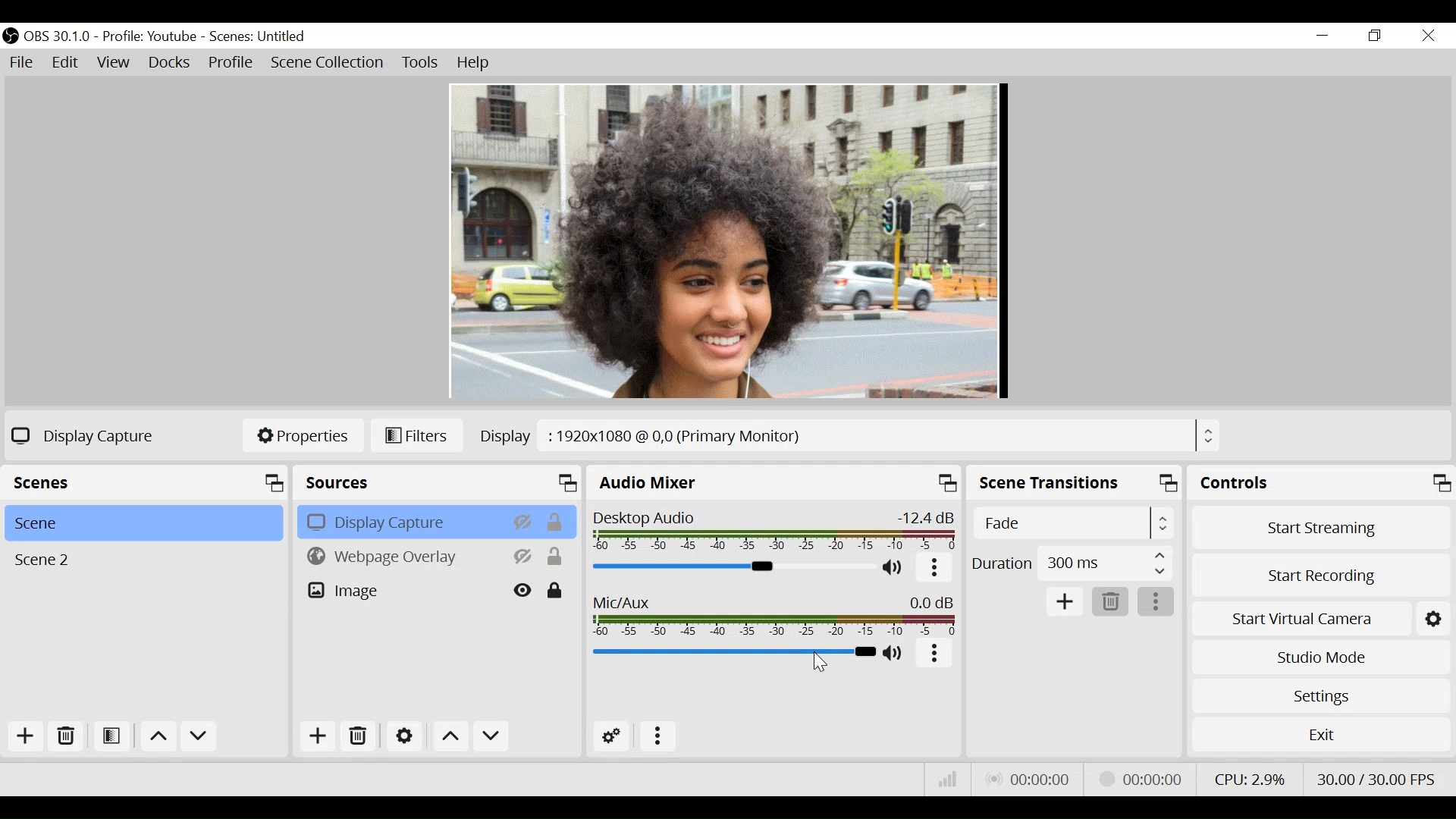  Describe the element at coordinates (403, 736) in the screenshot. I see `Settings` at that location.